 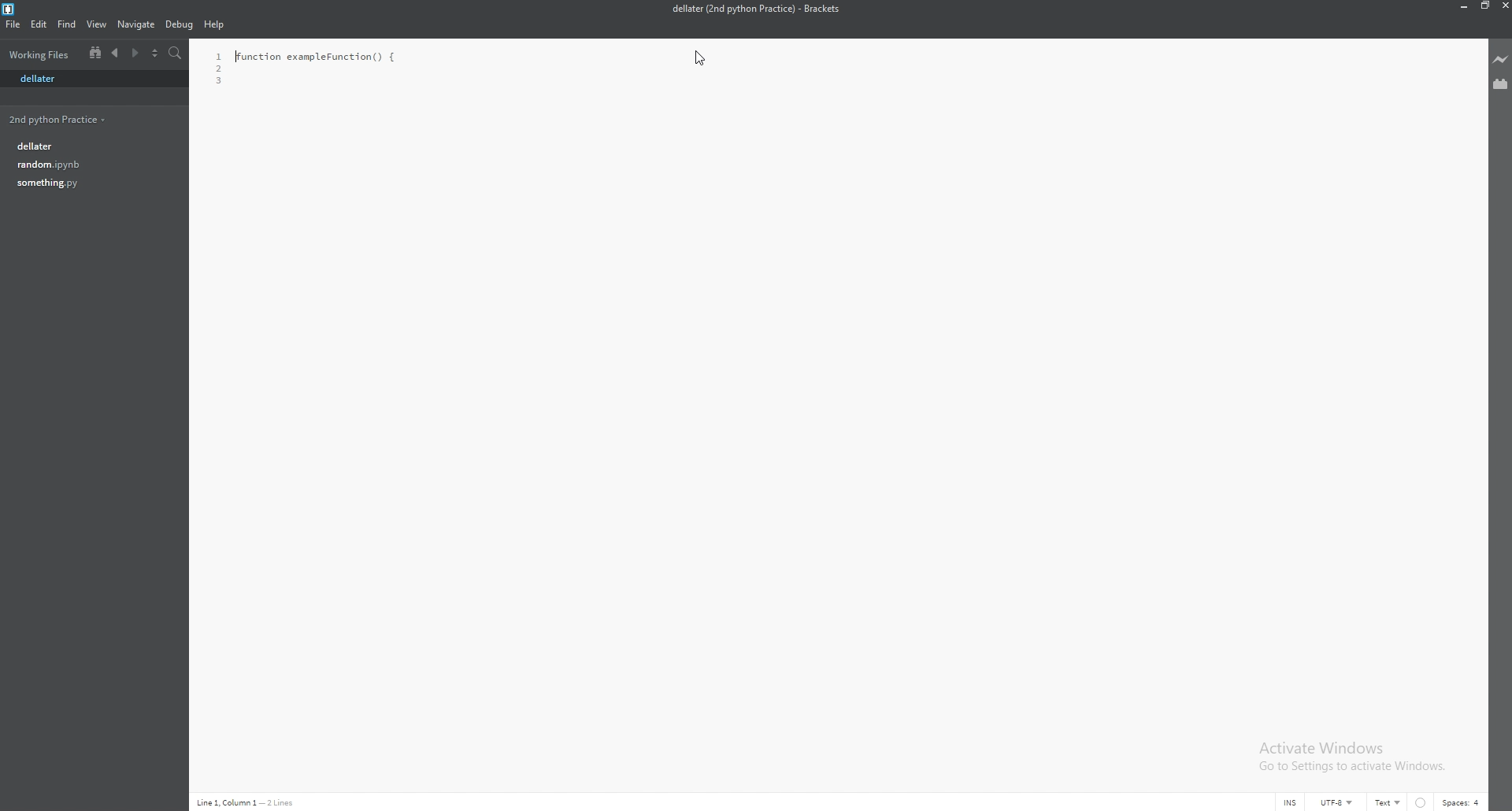 What do you see at coordinates (137, 24) in the screenshot?
I see `navigate` at bounding box center [137, 24].